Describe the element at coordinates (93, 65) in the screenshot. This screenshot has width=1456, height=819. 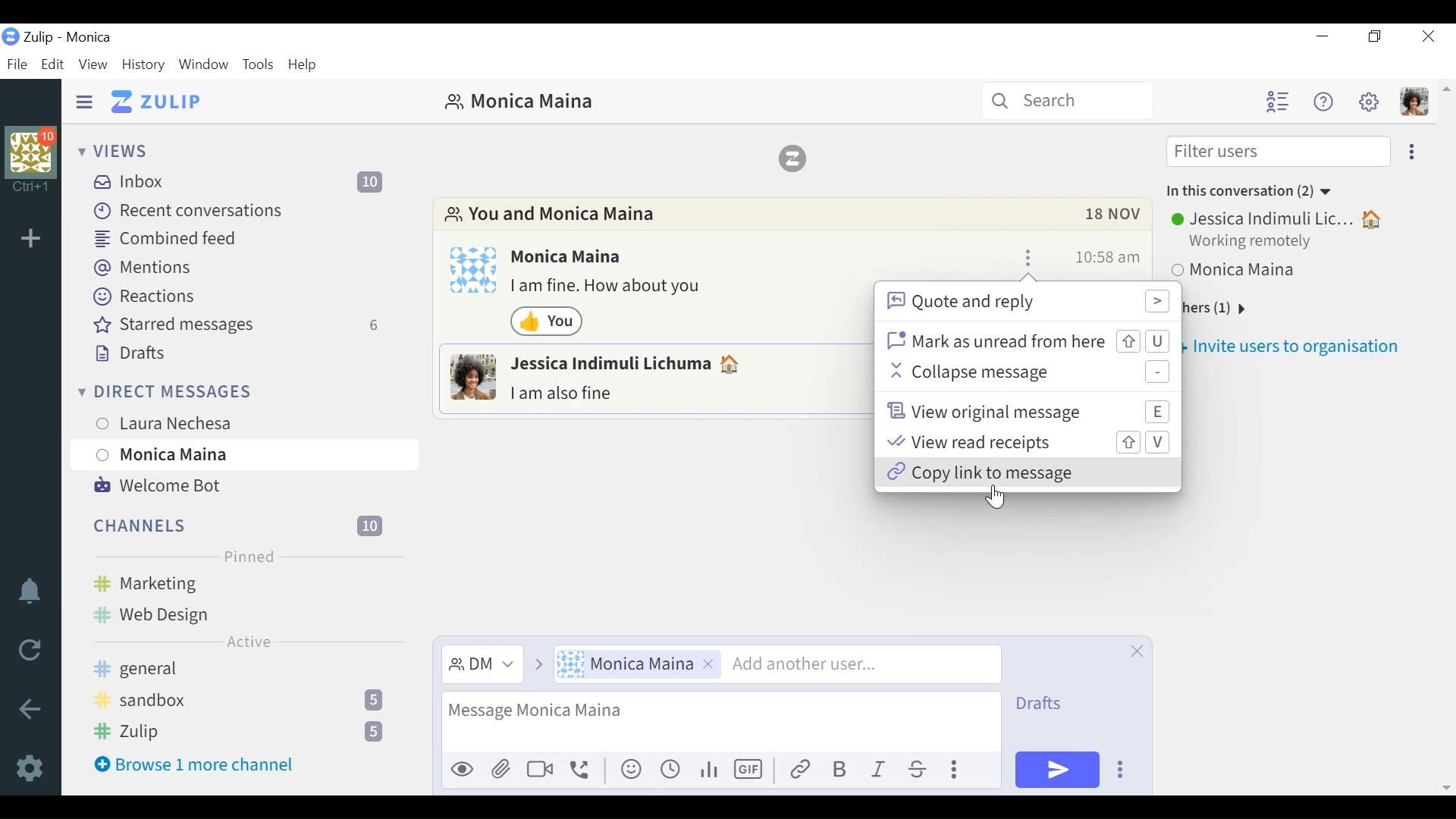
I see `View` at that location.